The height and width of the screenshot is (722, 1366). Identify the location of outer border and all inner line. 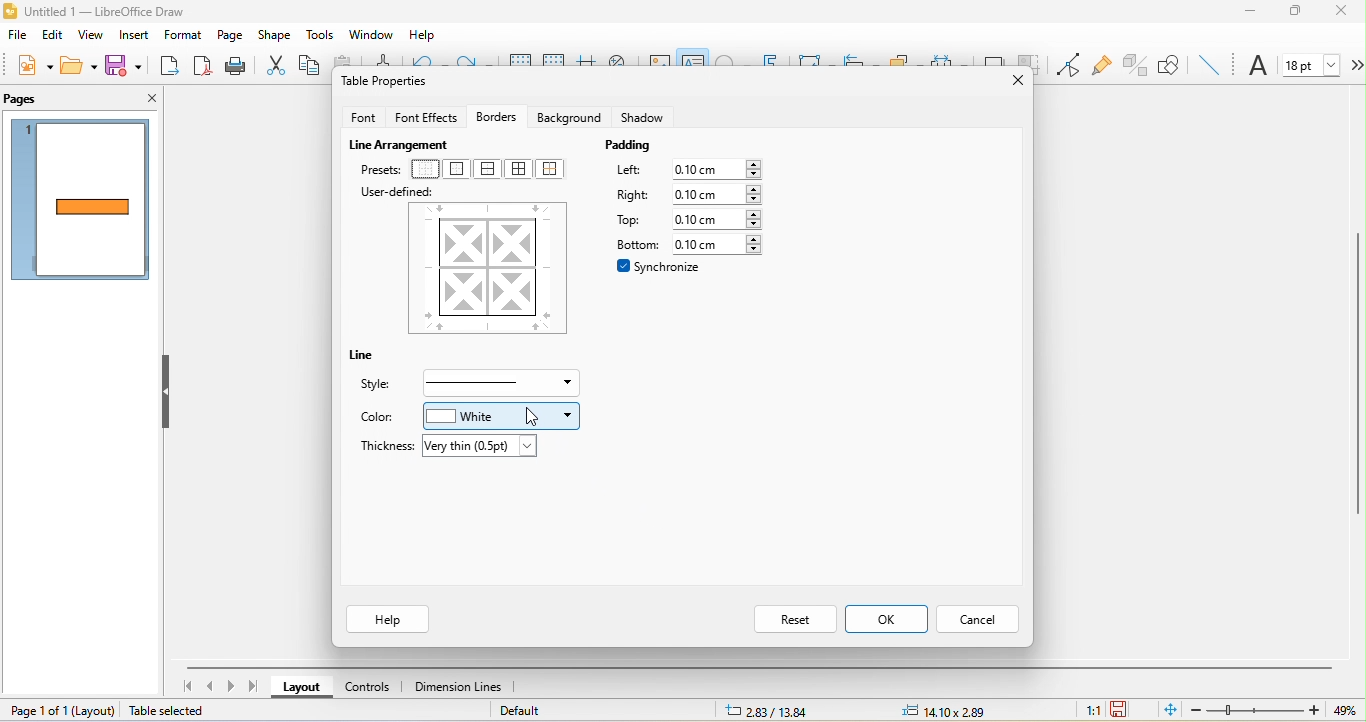
(520, 167).